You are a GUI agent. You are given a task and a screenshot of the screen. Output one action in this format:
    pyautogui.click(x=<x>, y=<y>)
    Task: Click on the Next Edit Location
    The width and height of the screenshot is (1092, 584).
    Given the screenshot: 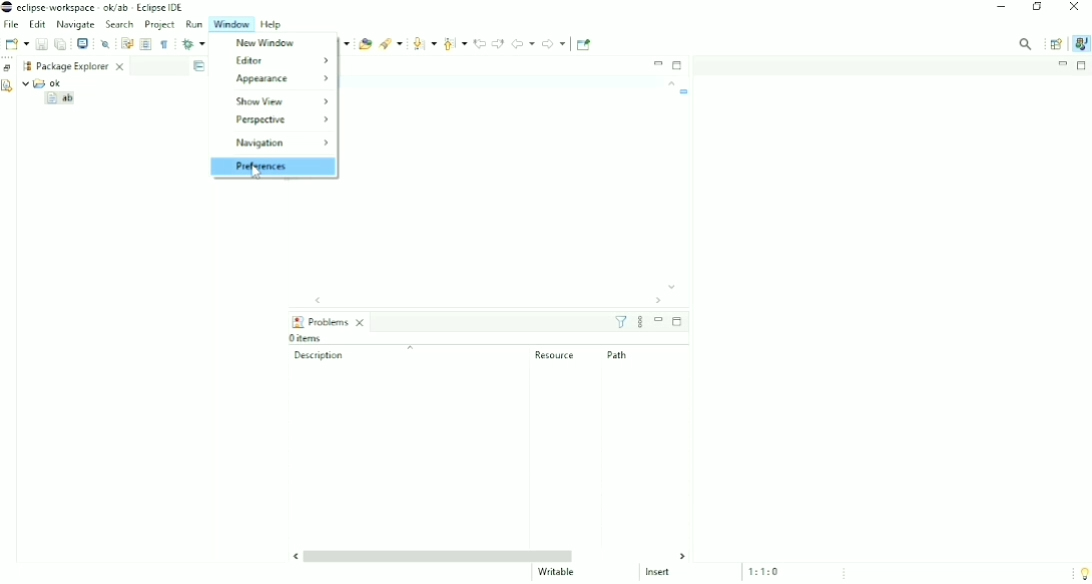 What is the action you would take?
    pyautogui.click(x=498, y=43)
    